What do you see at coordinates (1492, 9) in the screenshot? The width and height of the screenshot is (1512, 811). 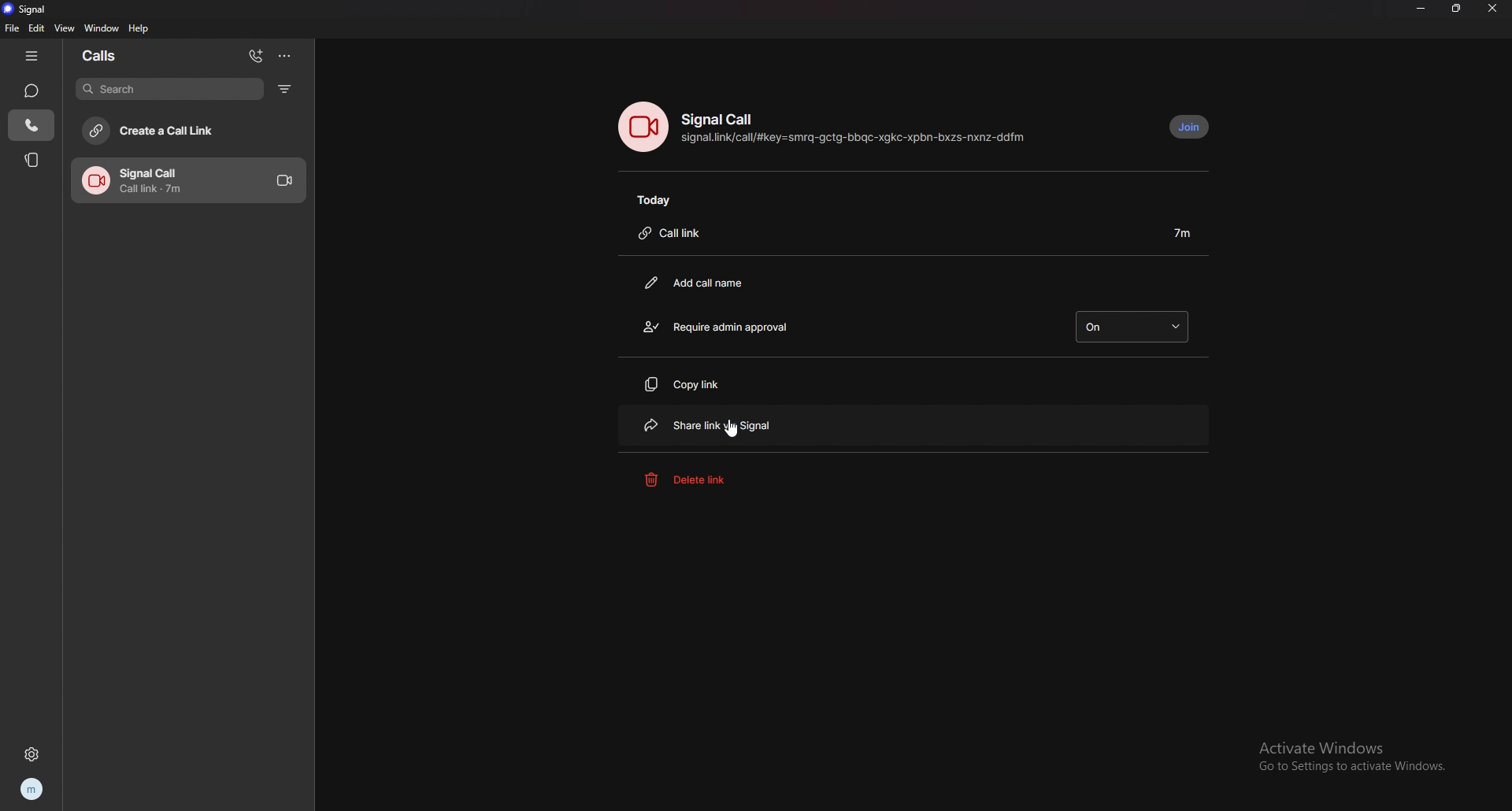 I see `close` at bounding box center [1492, 9].